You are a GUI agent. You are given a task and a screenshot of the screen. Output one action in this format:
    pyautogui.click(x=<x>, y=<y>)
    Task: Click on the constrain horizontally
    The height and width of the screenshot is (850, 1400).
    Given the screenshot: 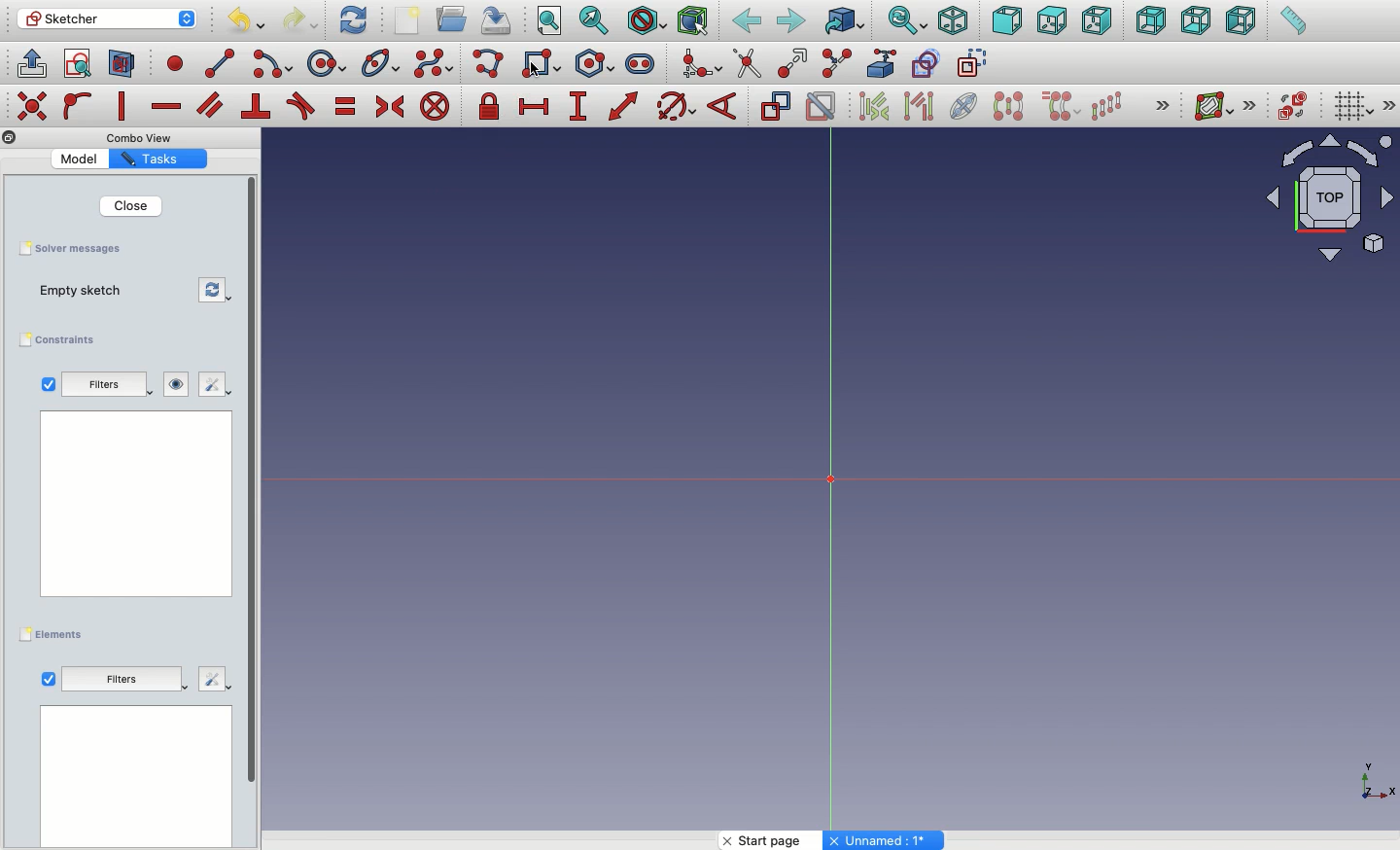 What is the action you would take?
    pyautogui.click(x=168, y=101)
    